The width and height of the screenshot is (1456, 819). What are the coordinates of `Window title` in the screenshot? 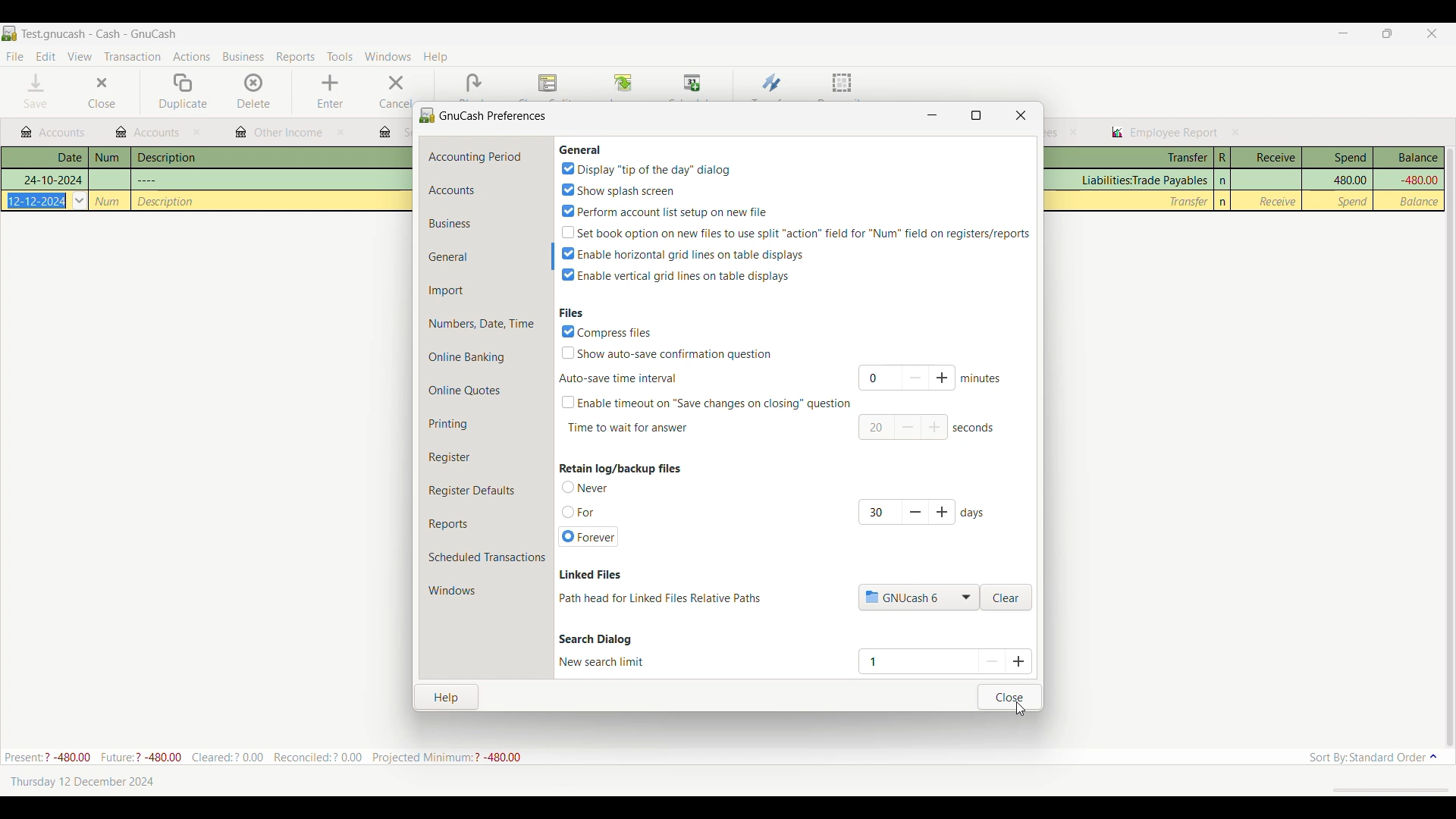 It's located at (485, 115).